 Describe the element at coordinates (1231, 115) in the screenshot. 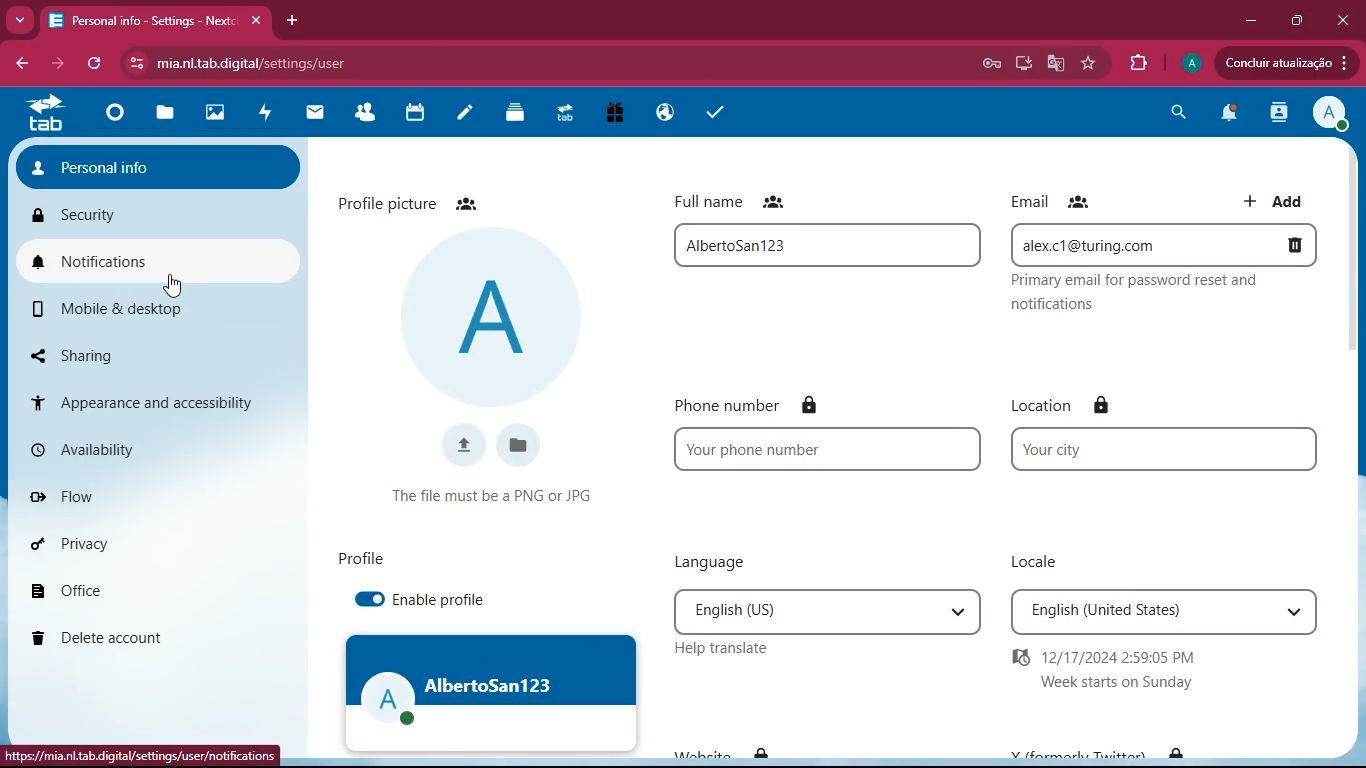

I see `notifications` at that location.